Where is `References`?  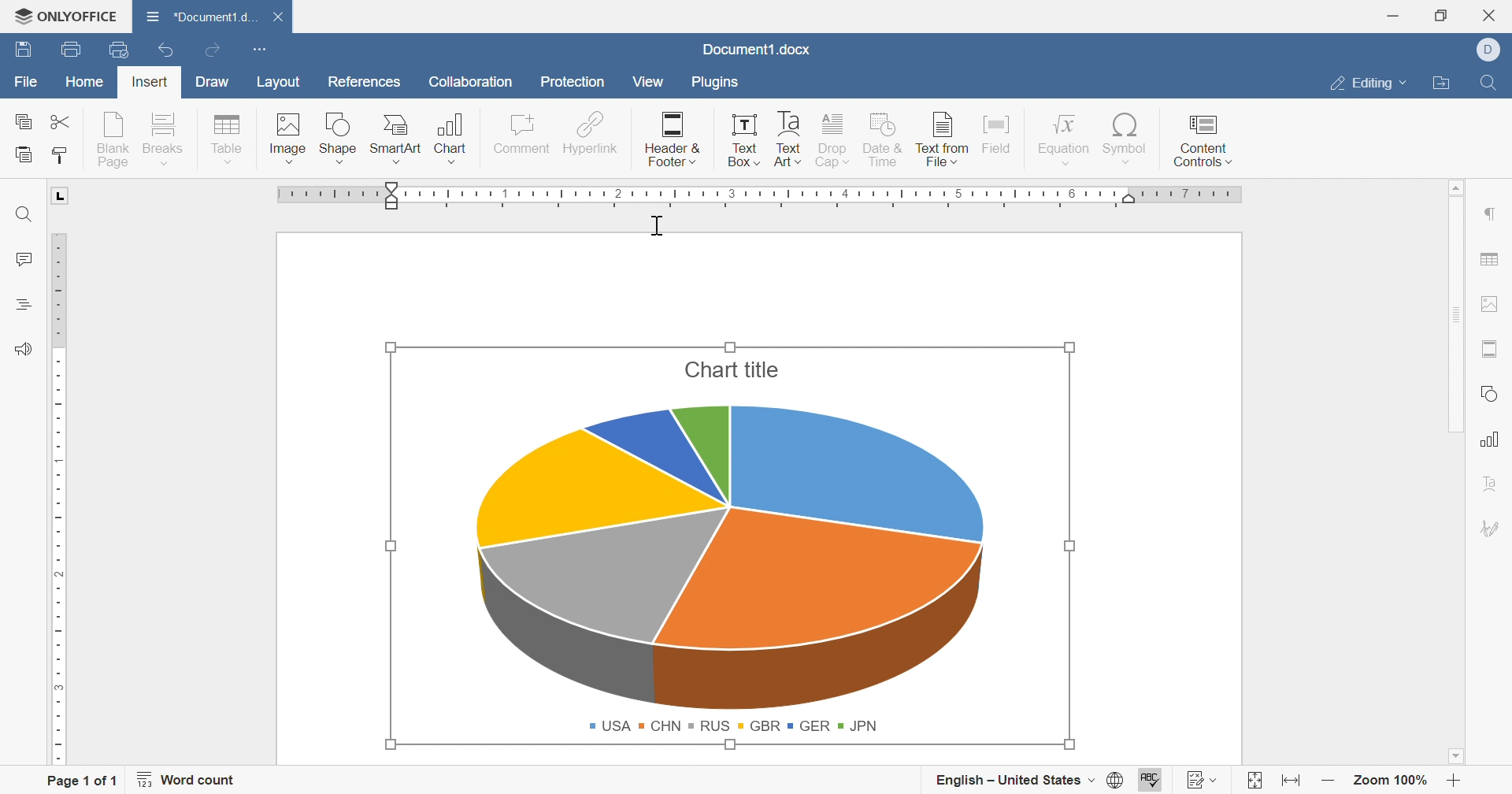
References is located at coordinates (366, 81).